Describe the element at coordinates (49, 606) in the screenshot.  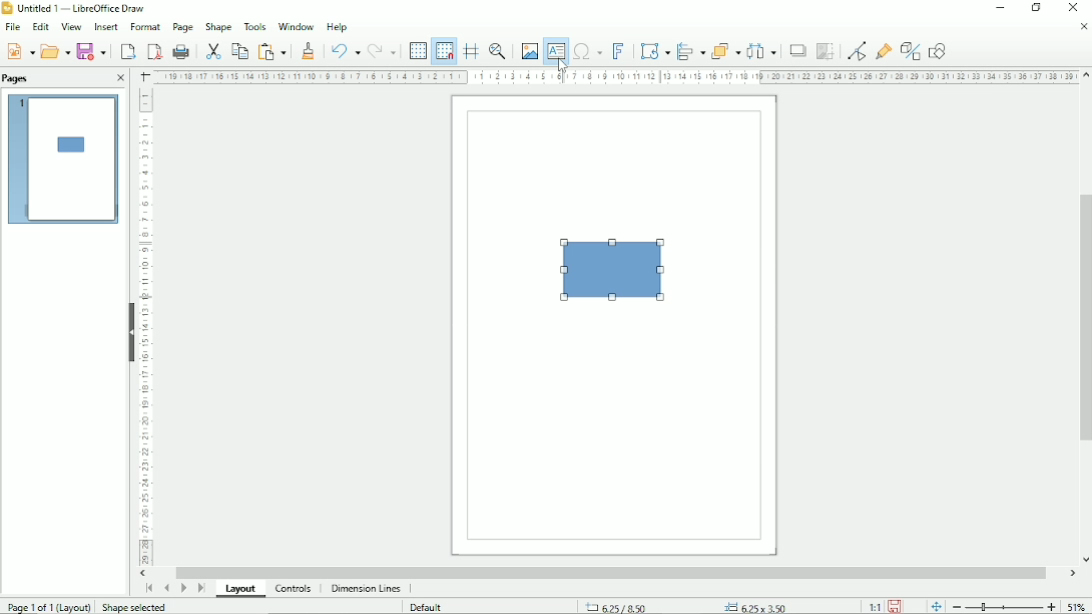
I see `Page 1 of 1` at that location.